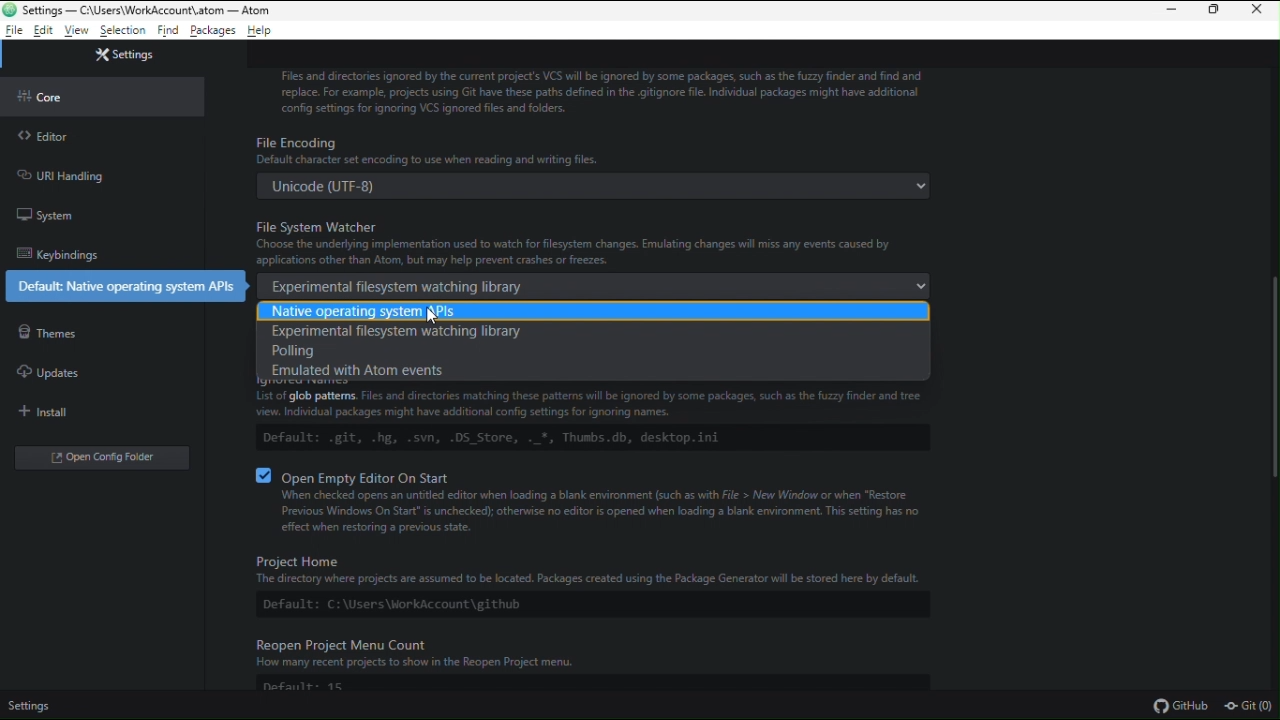 The image size is (1280, 720). What do you see at coordinates (1261, 12) in the screenshot?
I see `Close` at bounding box center [1261, 12].